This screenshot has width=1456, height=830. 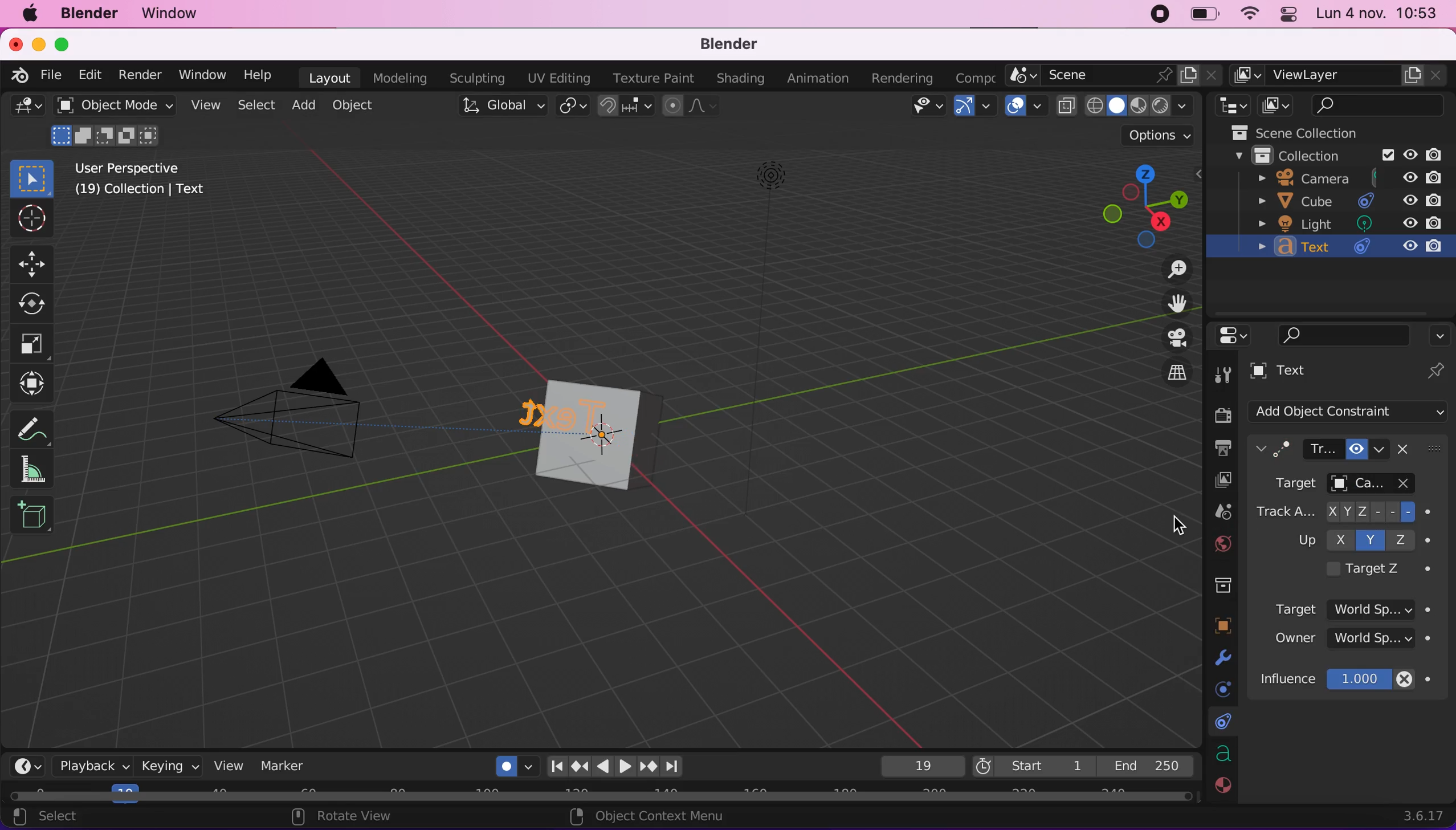 What do you see at coordinates (1220, 723) in the screenshot?
I see `constraints` at bounding box center [1220, 723].